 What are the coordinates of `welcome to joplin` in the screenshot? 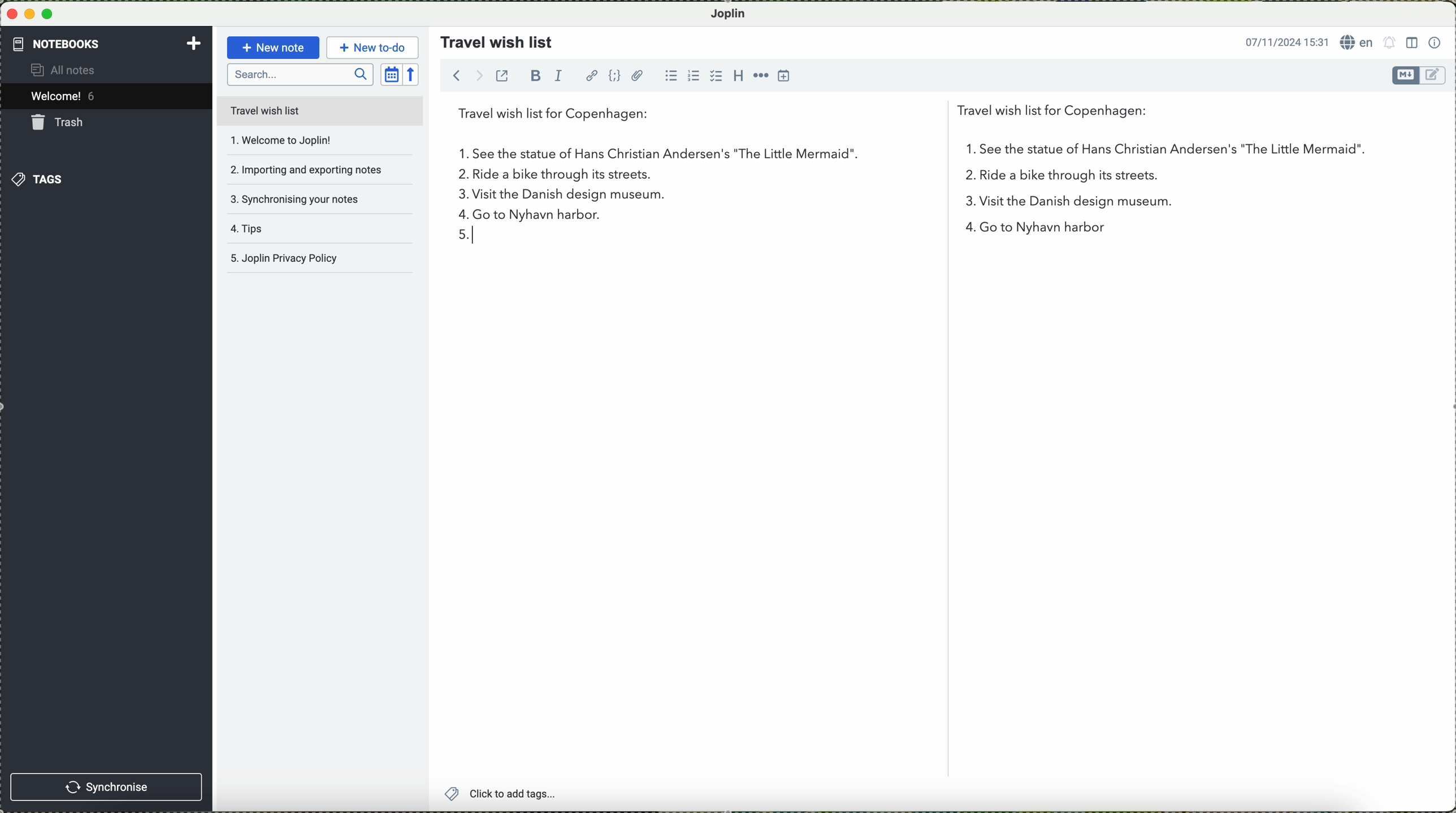 It's located at (302, 141).